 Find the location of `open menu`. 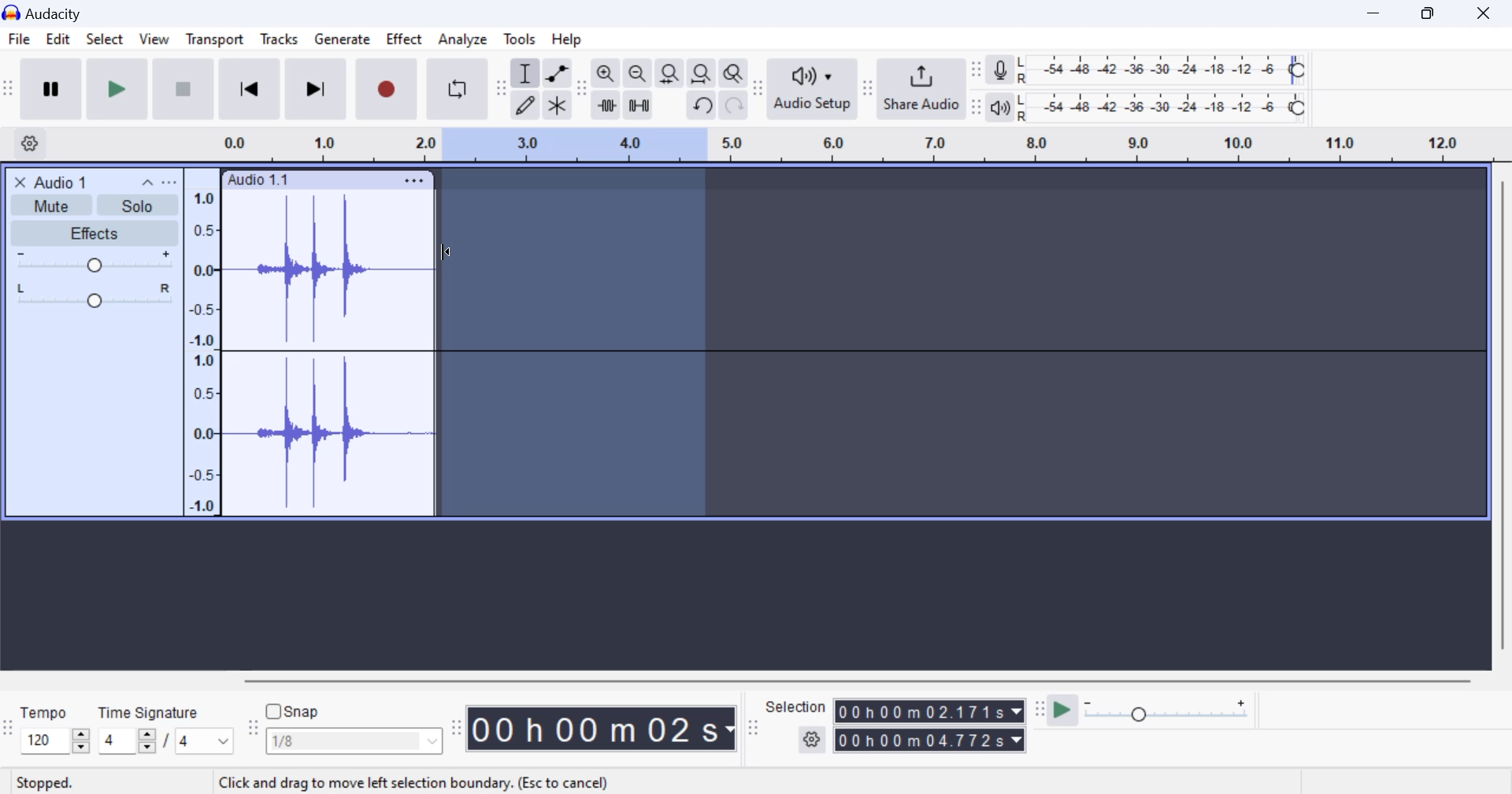

open menu is located at coordinates (169, 182).